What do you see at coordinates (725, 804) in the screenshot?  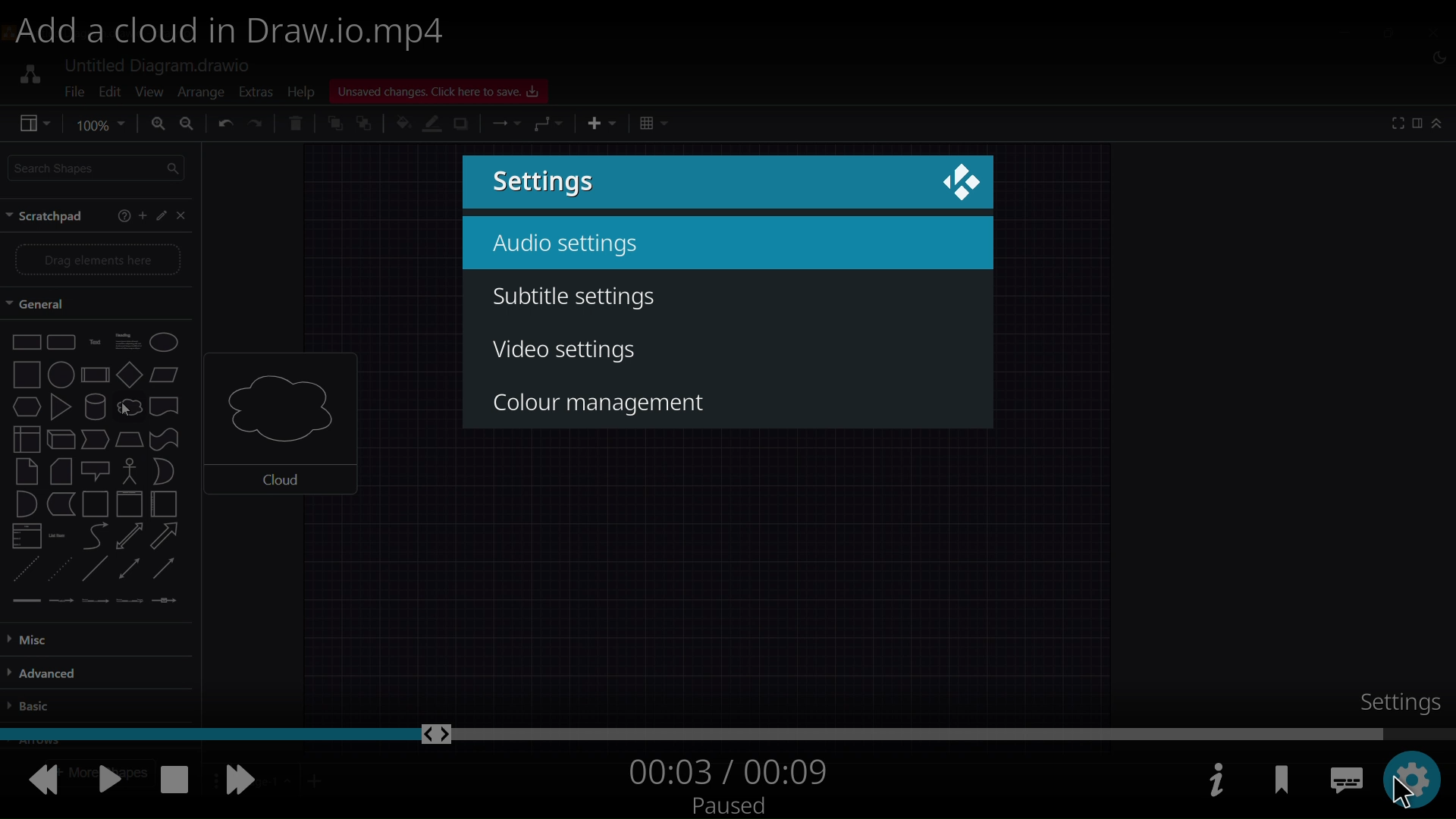 I see `paused` at bounding box center [725, 804].